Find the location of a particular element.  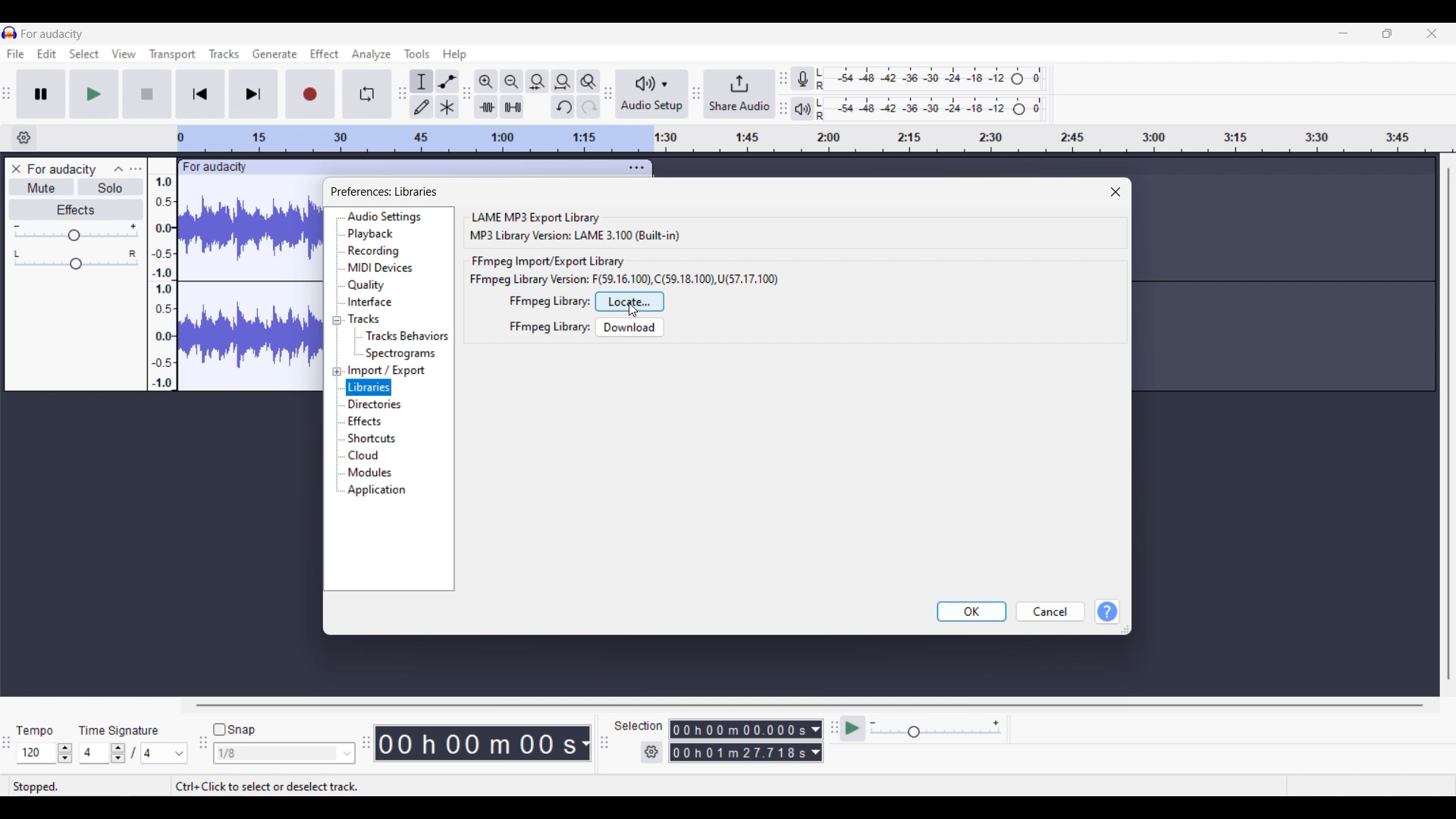

Timeline settings is located at coordinates (24, 138).